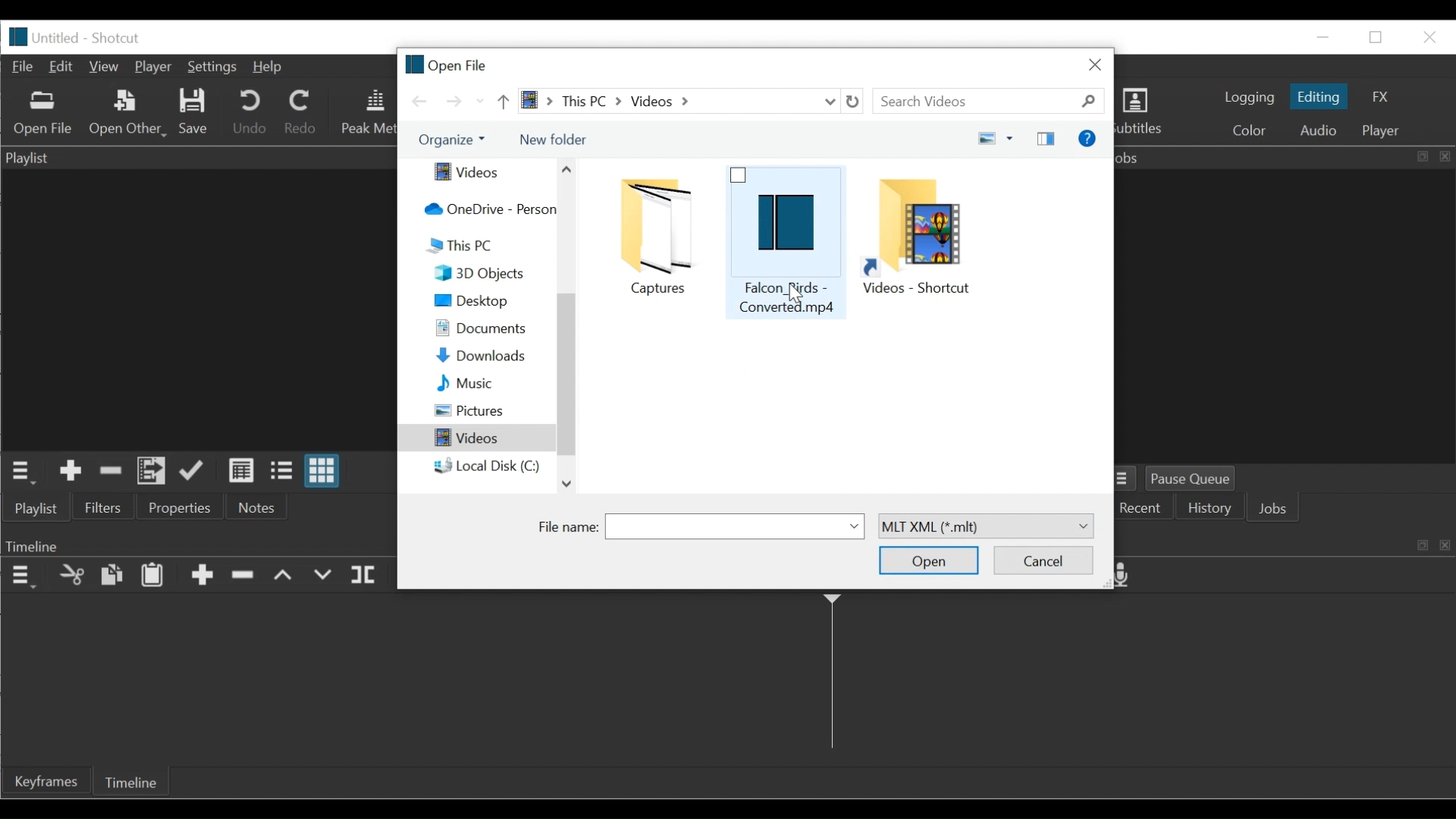 Image resolution: width=1456 pixels, height=819 pixels. What do you see at coordinates (921, 237) in the screenshot?
I see `Video Shotcut` at bounding box center [921, 237].